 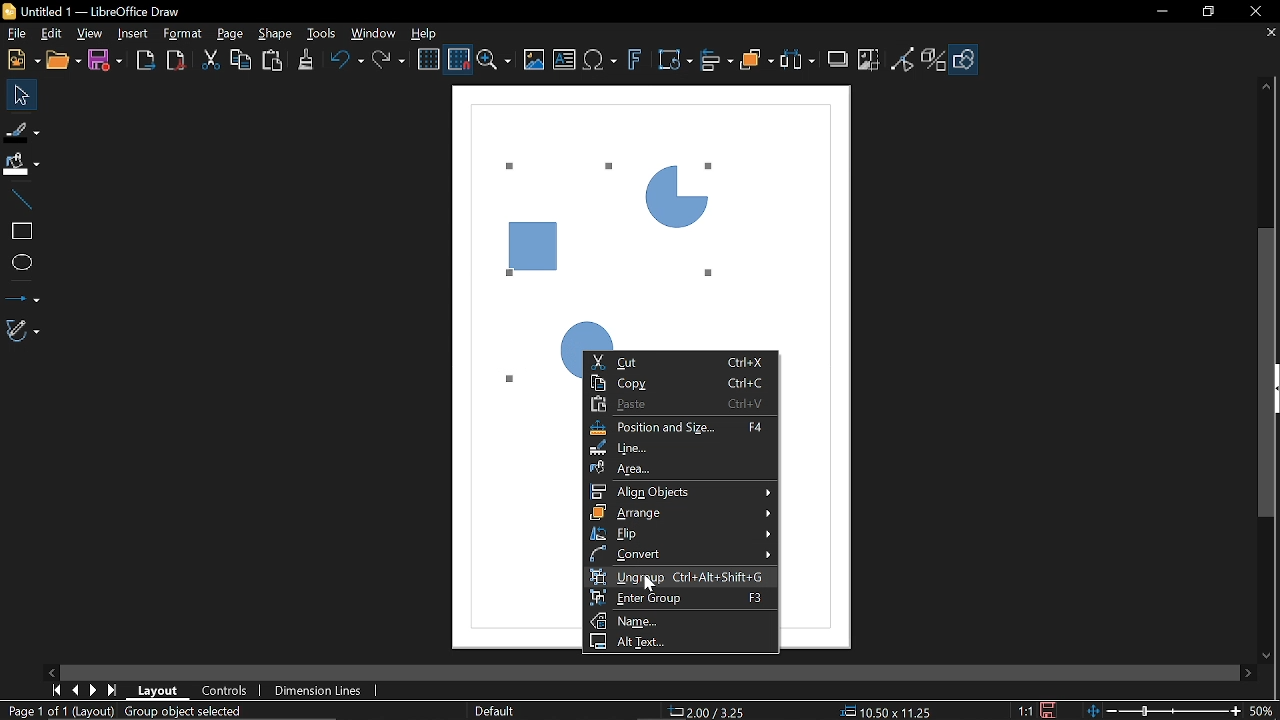 I want to click on Edit, so click(x=50, y=33).